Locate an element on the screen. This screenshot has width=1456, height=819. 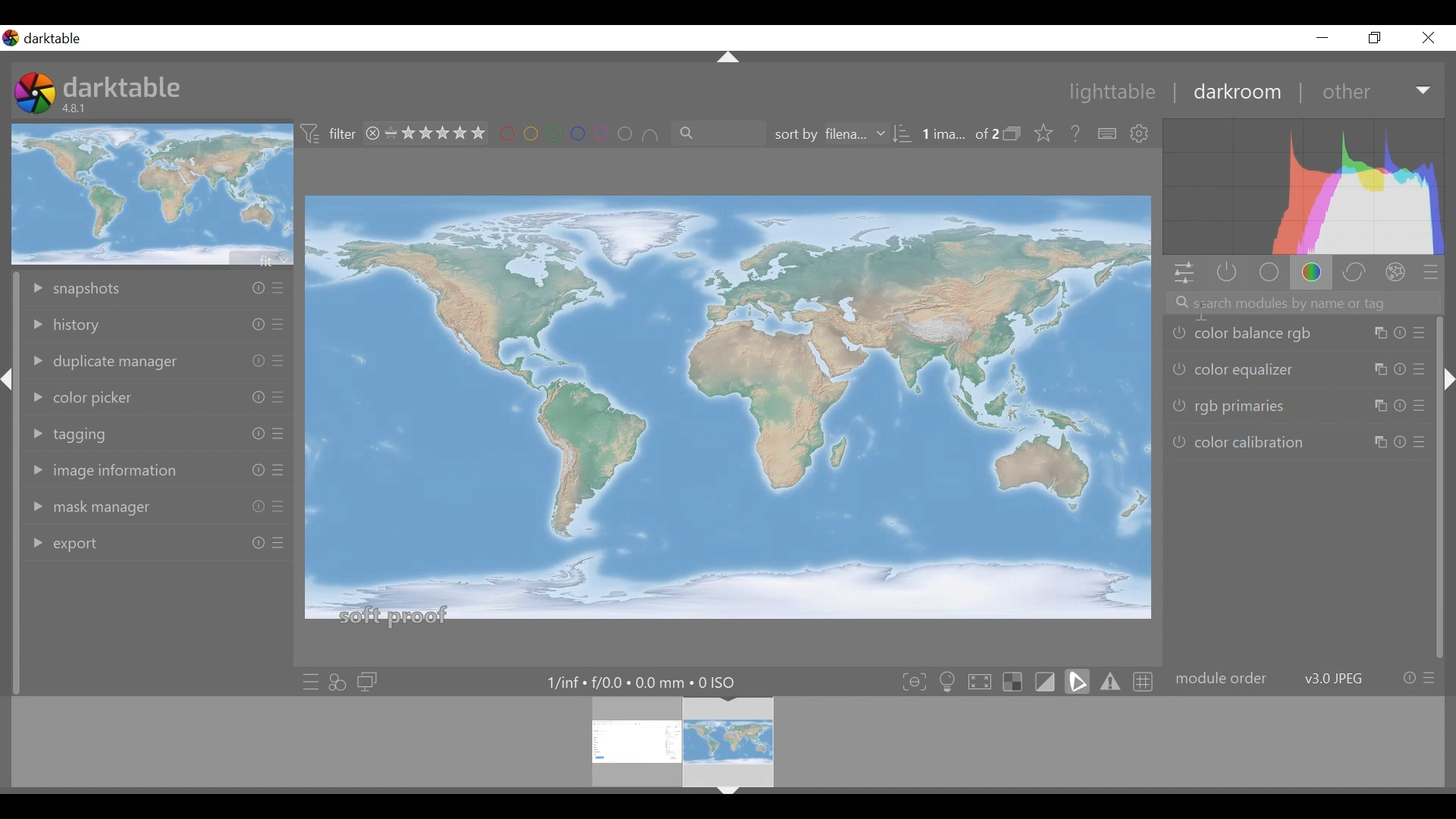
color is located at coordinates (1316, 274).